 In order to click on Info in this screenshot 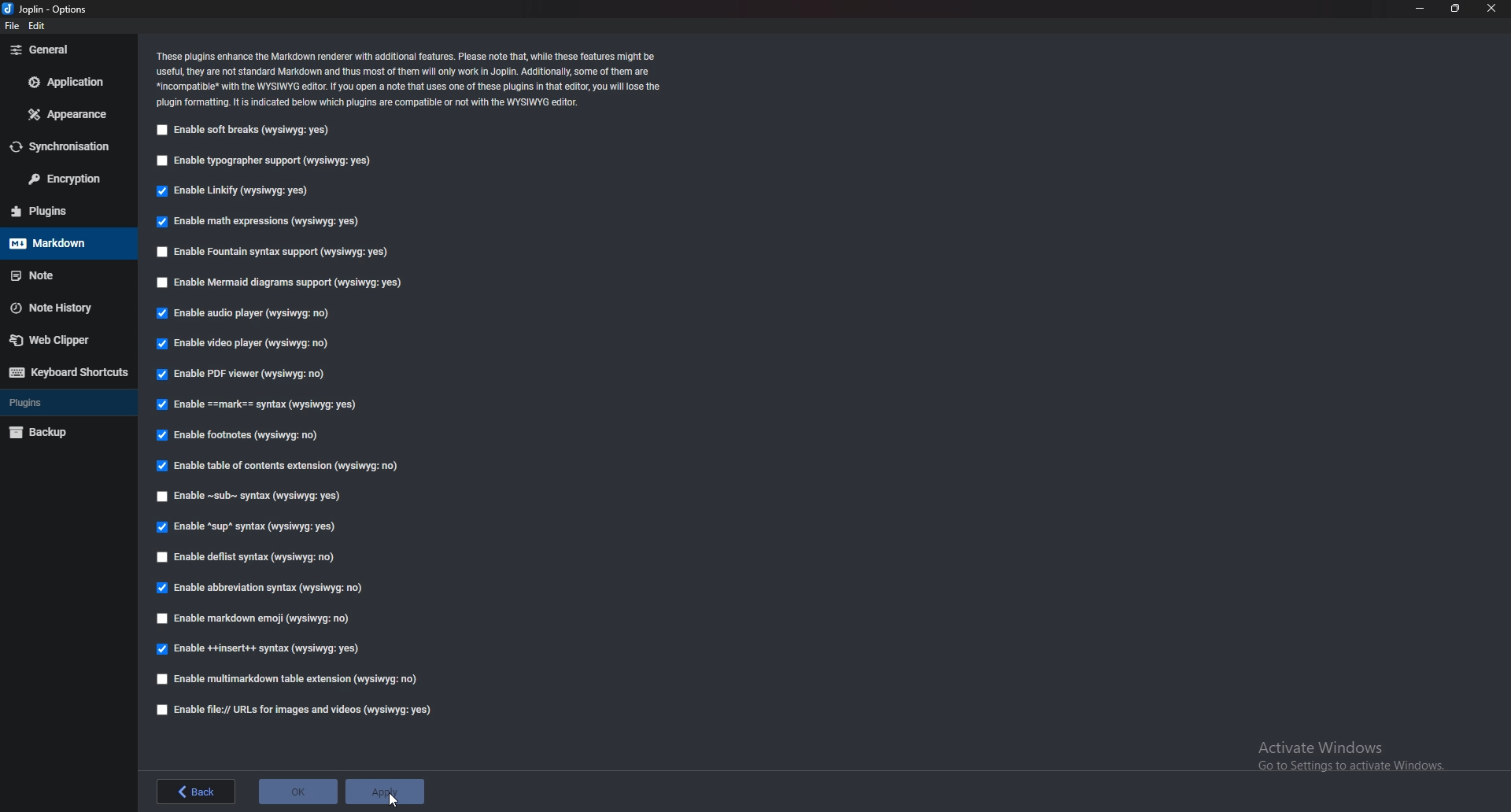, I will do `click(419, 79)`.